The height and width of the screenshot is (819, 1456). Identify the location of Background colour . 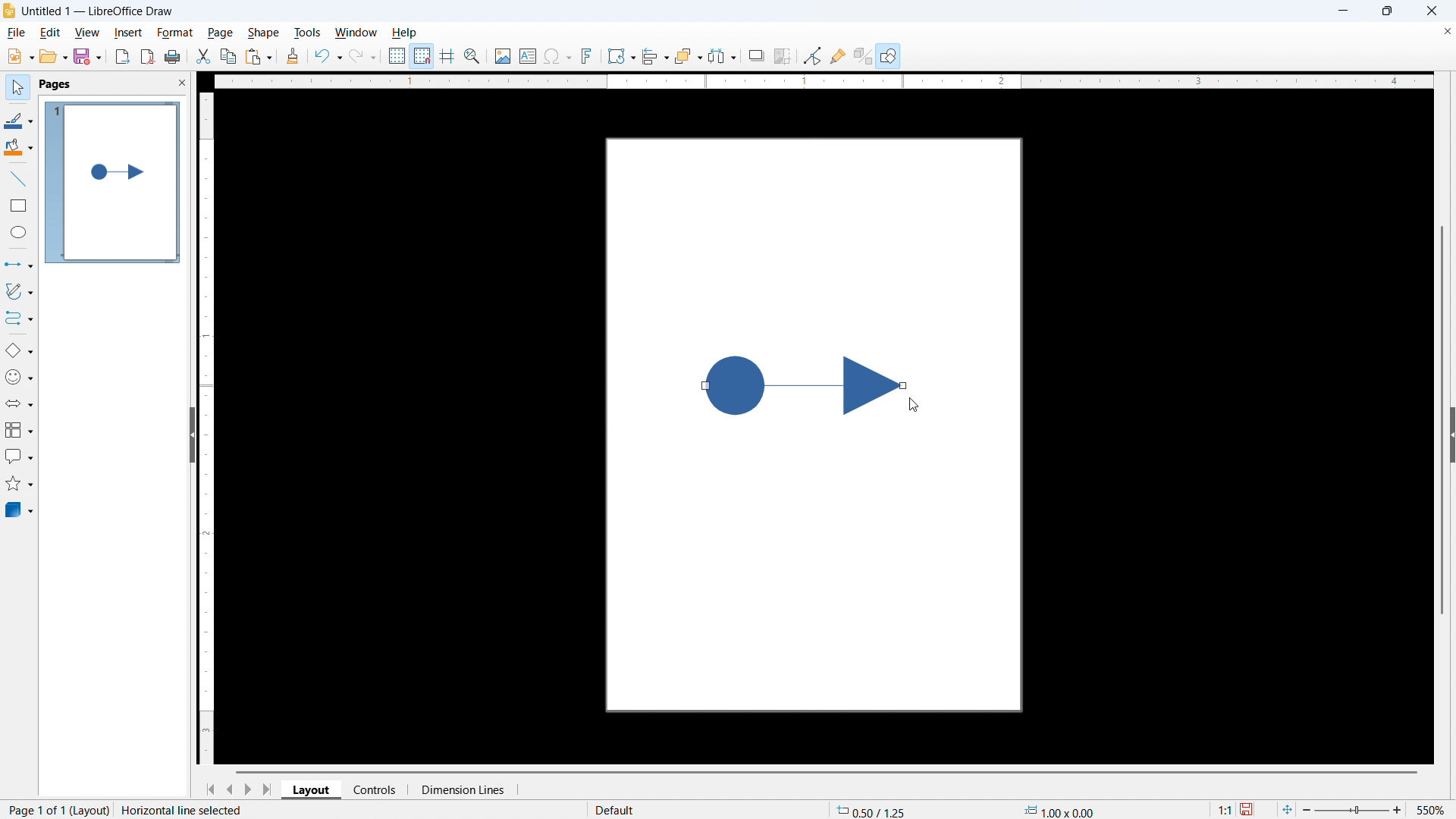
(19, 147).